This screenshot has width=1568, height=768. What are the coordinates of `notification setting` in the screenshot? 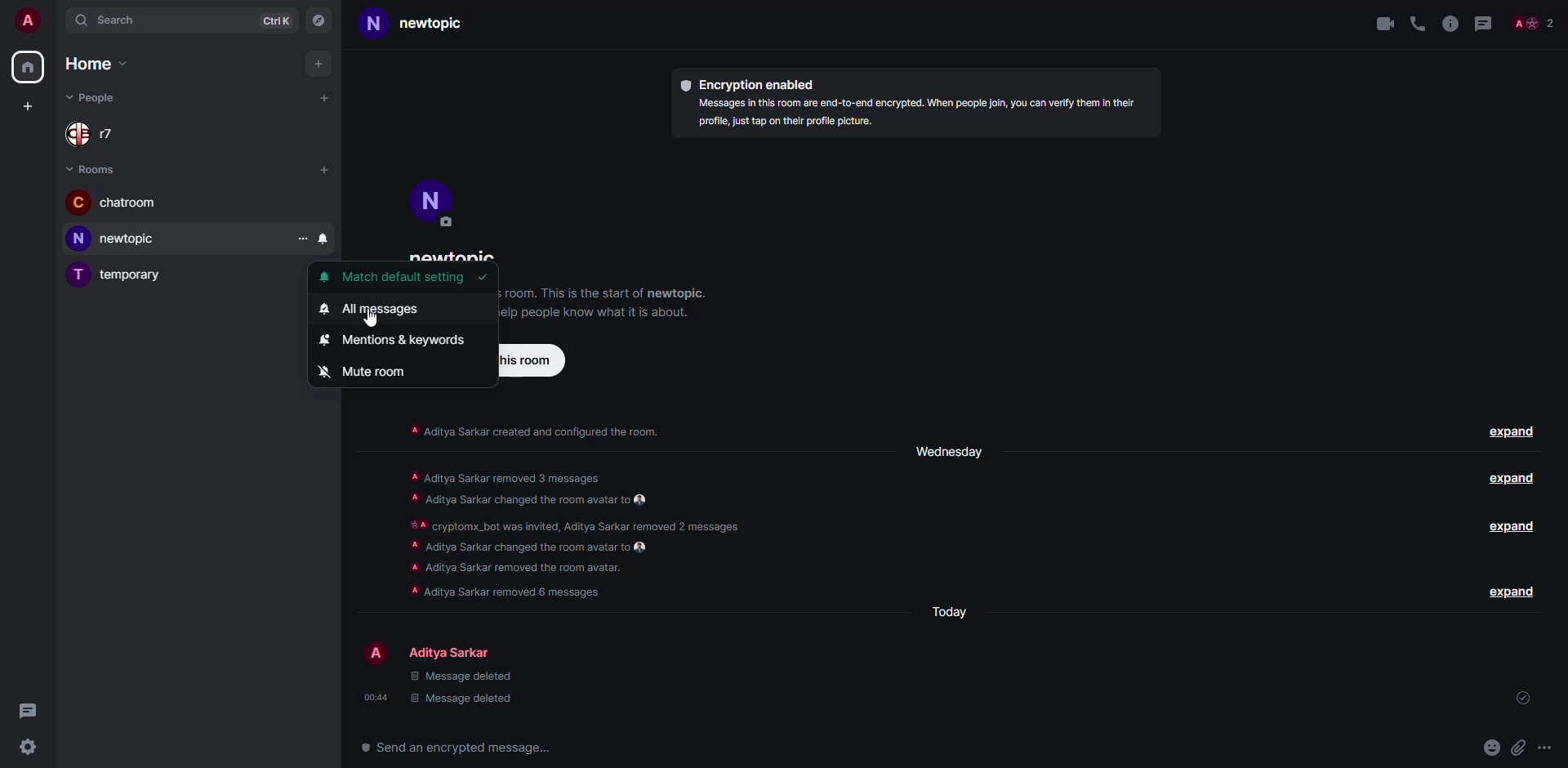 It's located at (323, 237).